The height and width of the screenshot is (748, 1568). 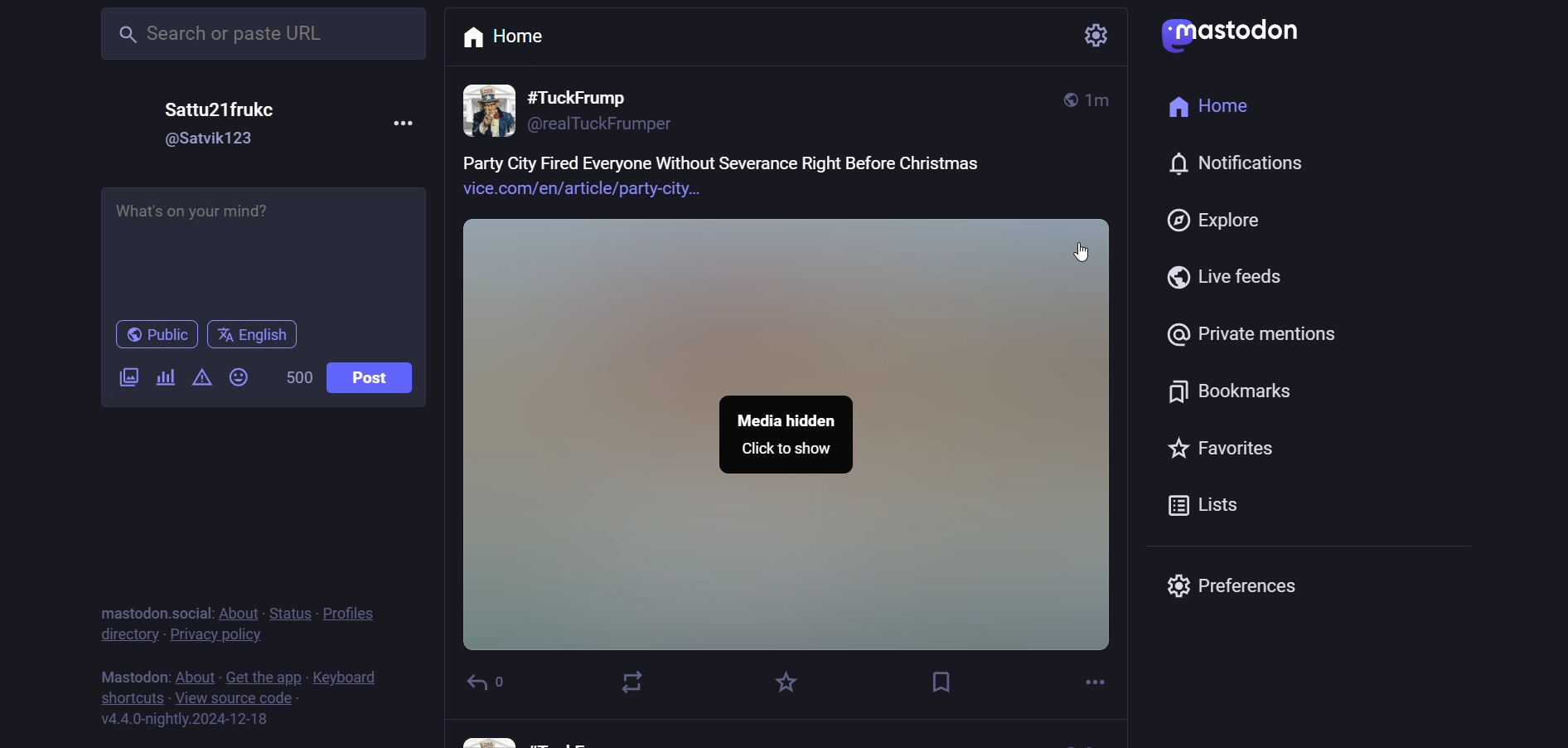 I want to click on profile picture, so click(x=490, y=109).